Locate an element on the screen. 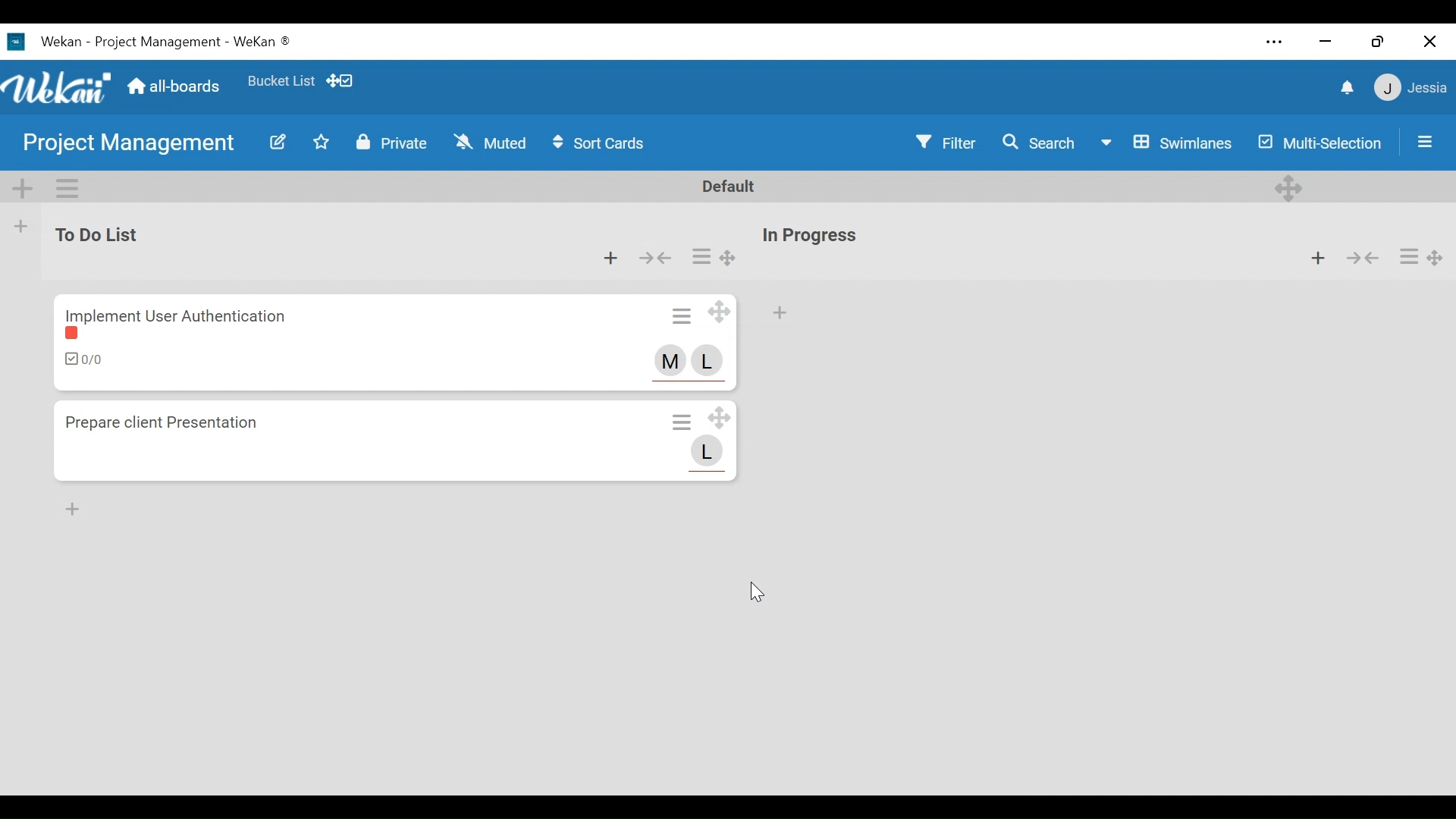 This screenshot has height=819, width=1456. Multi-Selection is located at coordinates (1316, 143).